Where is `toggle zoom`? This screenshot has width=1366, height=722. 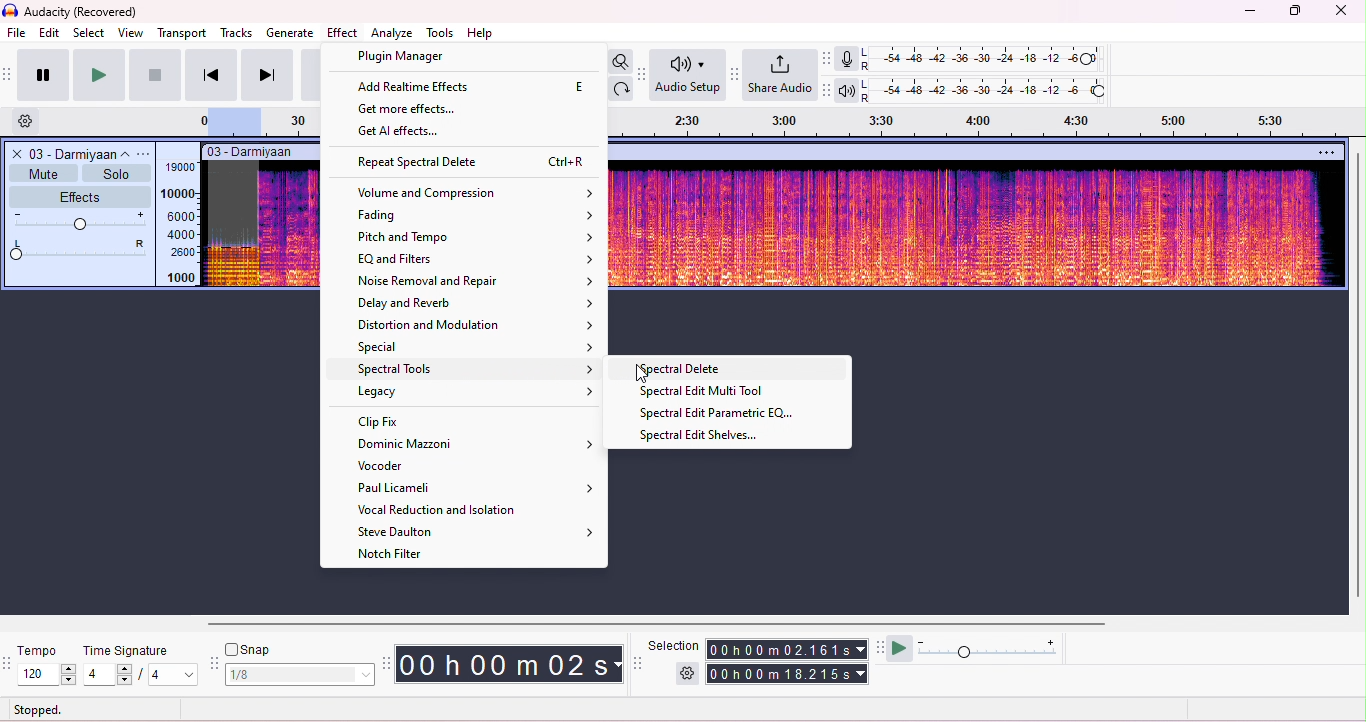 toggle zoom is located at coordinates (620, 61).